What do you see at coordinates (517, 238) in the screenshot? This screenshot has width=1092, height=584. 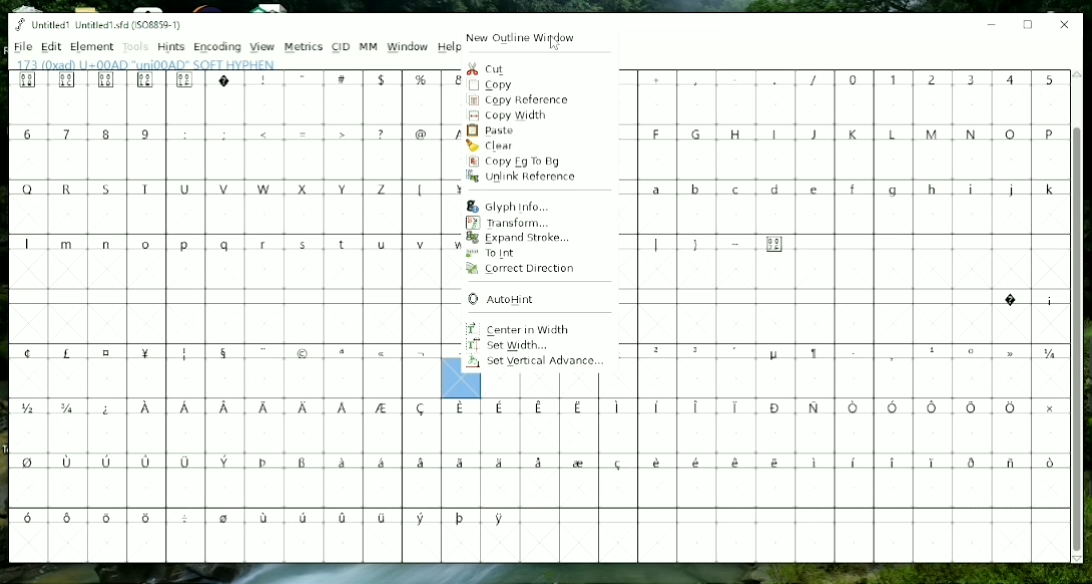 I see `Expand Stroke` at bounding box center [517, 238].